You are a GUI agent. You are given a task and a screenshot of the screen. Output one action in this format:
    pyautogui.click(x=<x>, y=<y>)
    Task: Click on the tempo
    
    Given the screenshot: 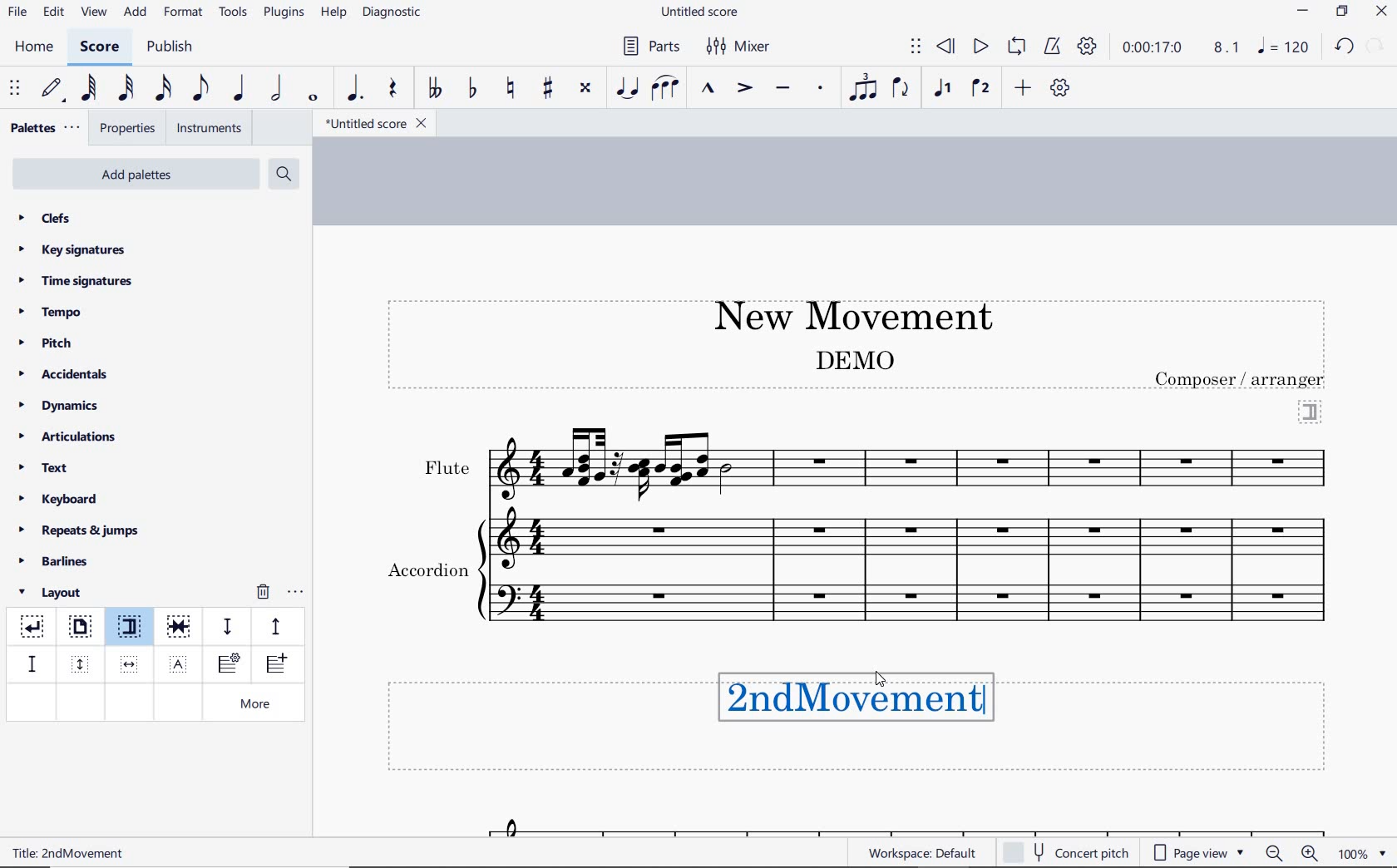 What is the action you would take?
    pyautogui.click(x=55, y=311)
    